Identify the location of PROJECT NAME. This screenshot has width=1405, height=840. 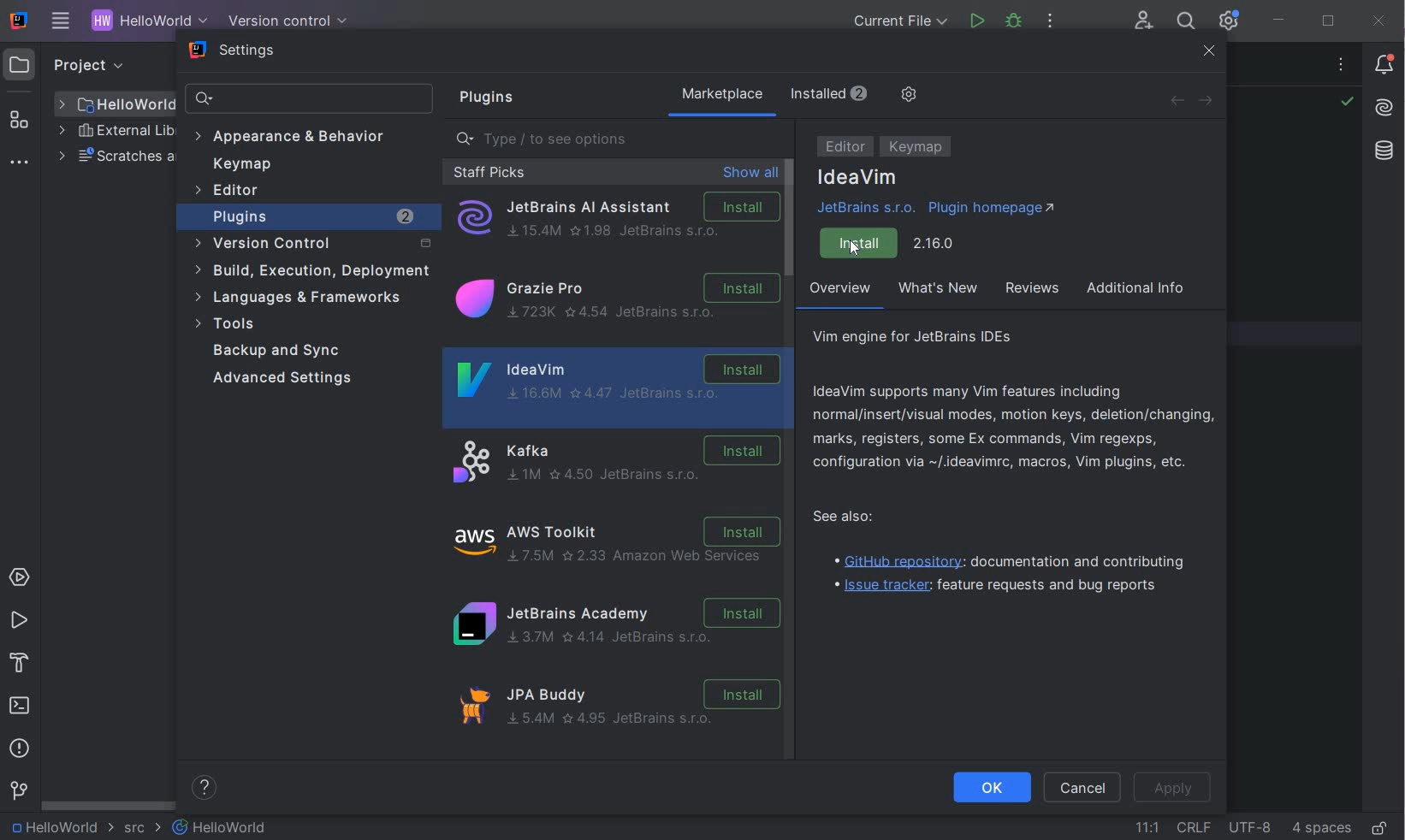
(60, 828).